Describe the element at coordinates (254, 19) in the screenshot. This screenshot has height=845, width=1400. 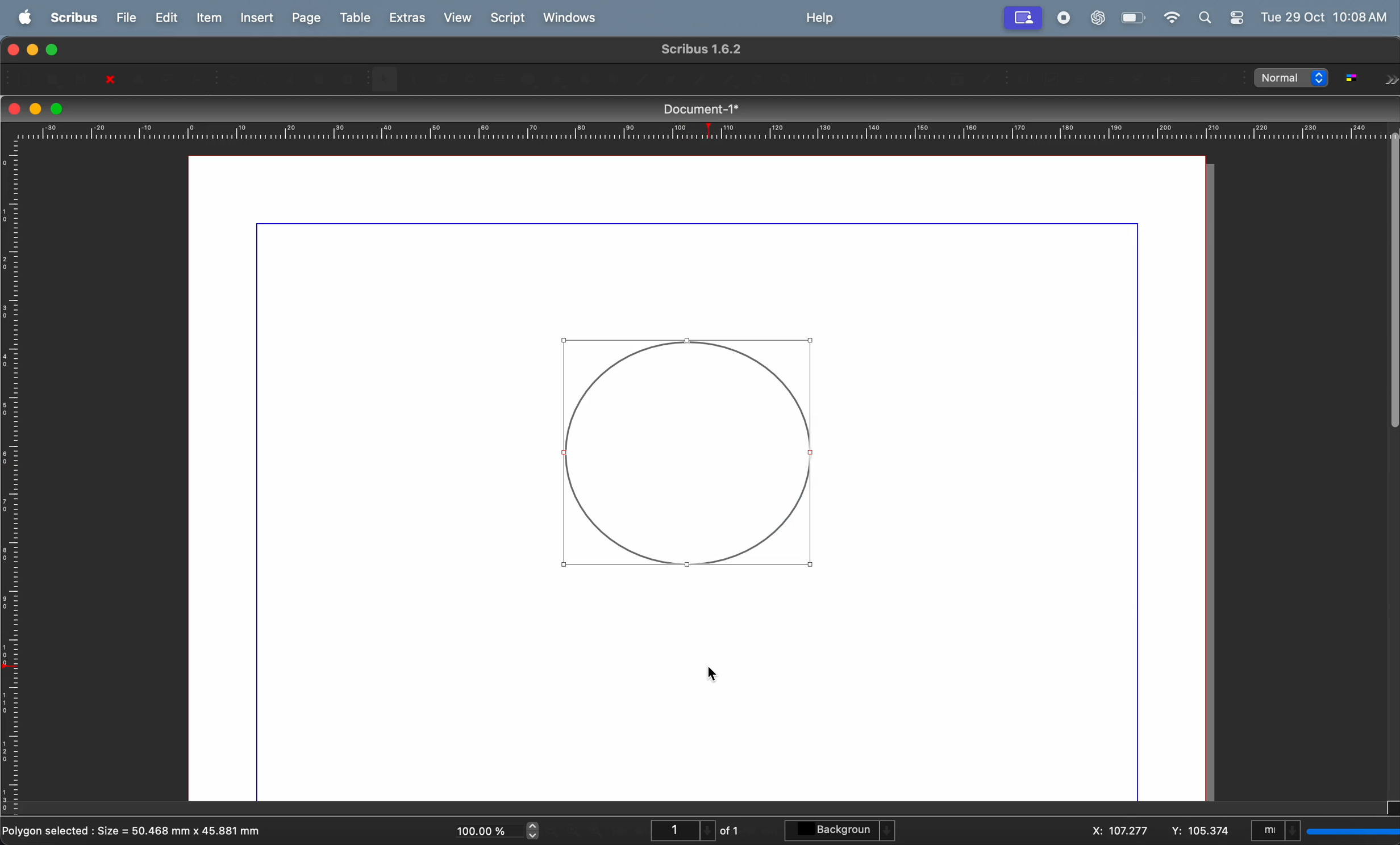
I see `insert` at that location.